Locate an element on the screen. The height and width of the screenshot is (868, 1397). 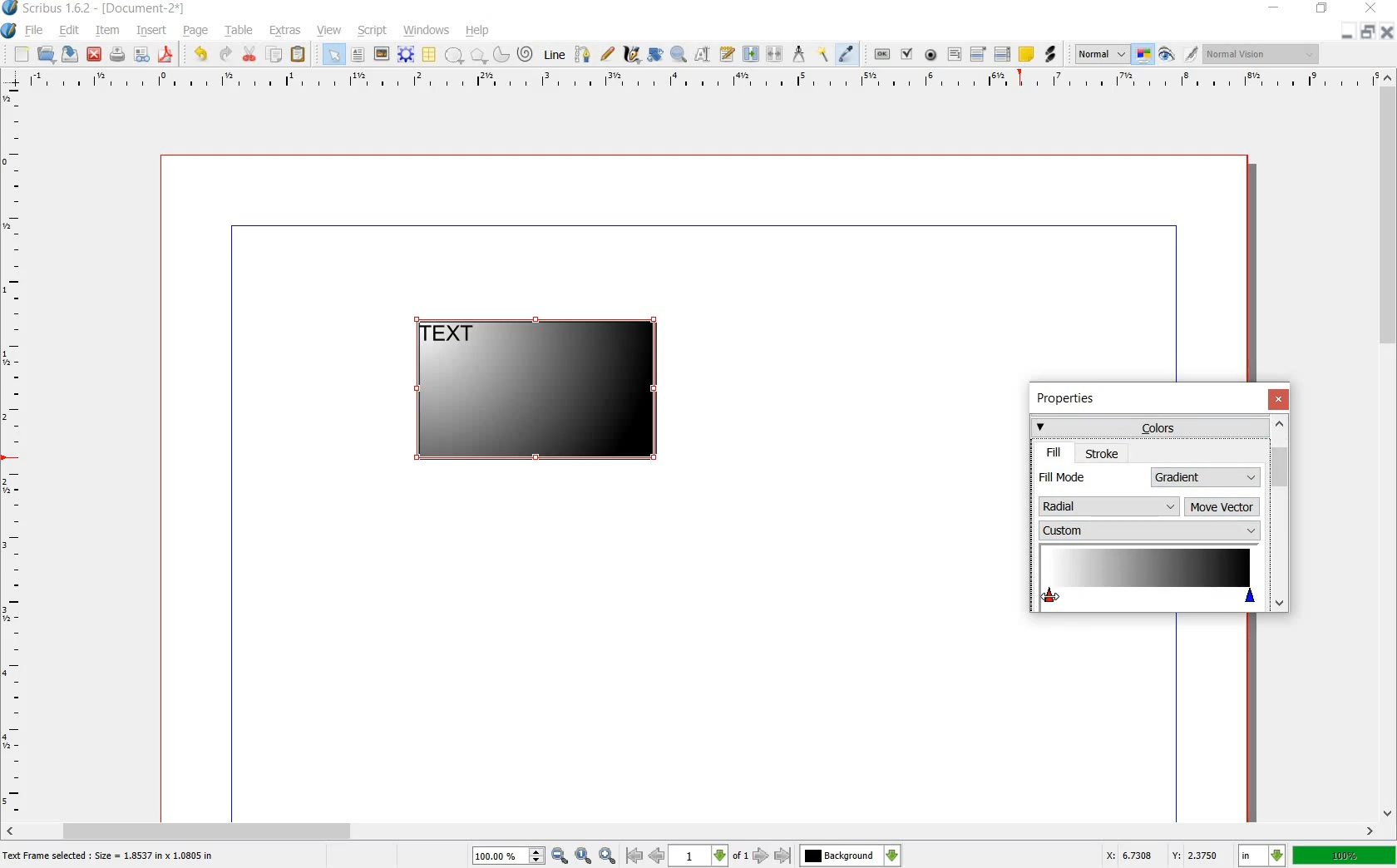
normal is located at coordinates (1102, 55).